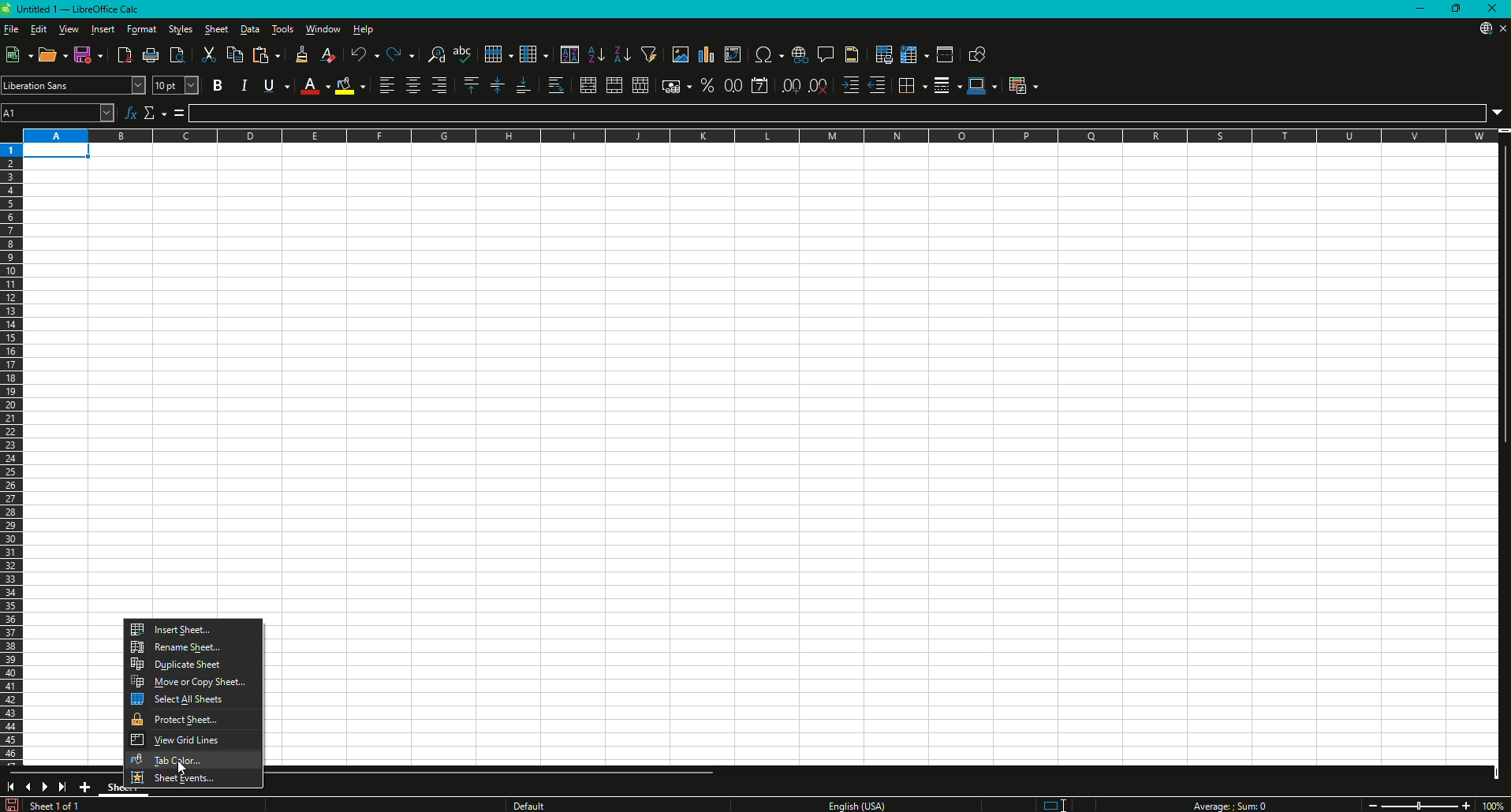 This screenshot has width=1511, height=812. What do you see at coordinates (192, 699) in the screenshot?
I see `Select A4 Sheets` at bounding box center [192, 699].